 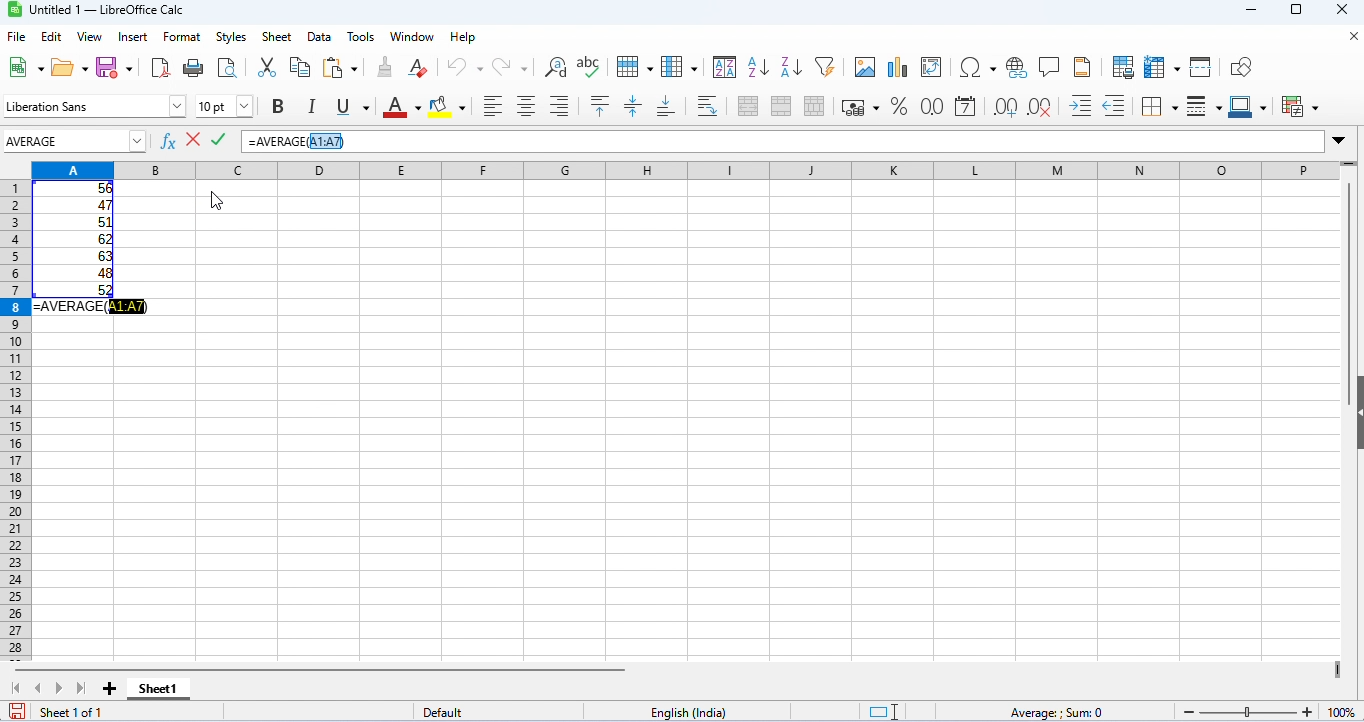 What do you see at coordinates (633, 65) in the screenshot?
I see `row` at bounding box center [633, 65].